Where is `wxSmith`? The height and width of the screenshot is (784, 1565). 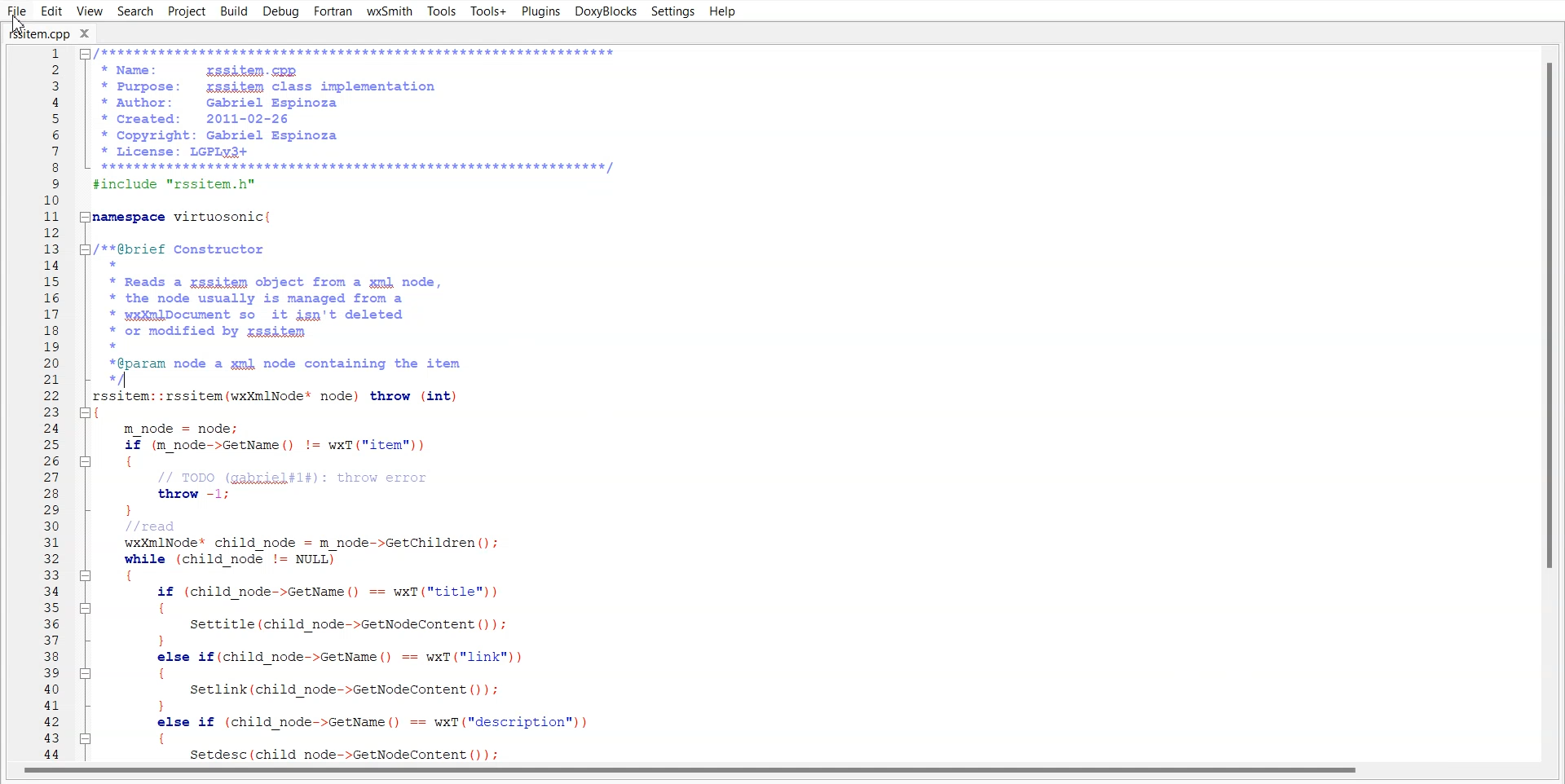 wxSmith is located at coordinates (389, 11).